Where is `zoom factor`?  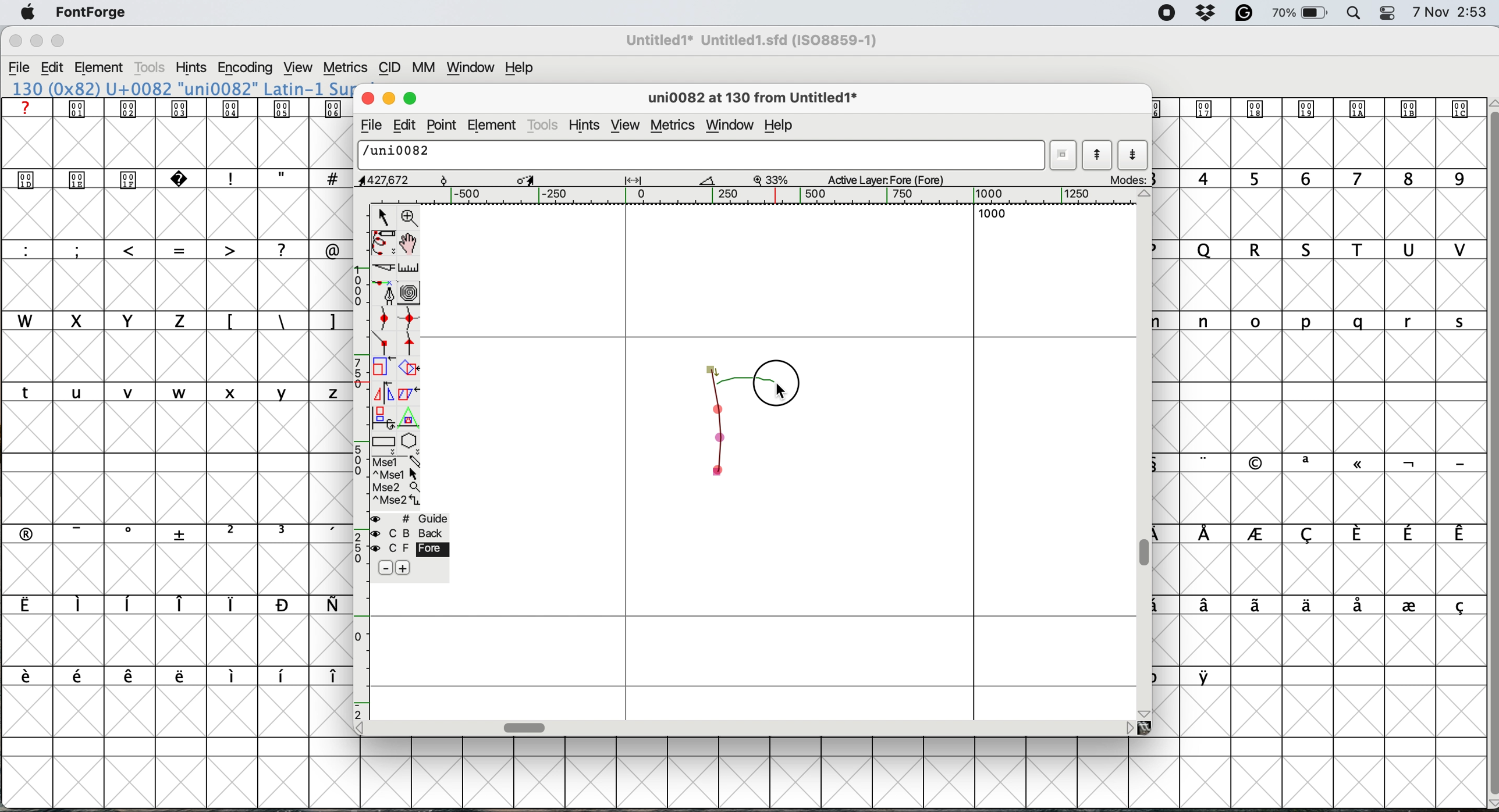 zoom factor is located at coordinates (773, 179).